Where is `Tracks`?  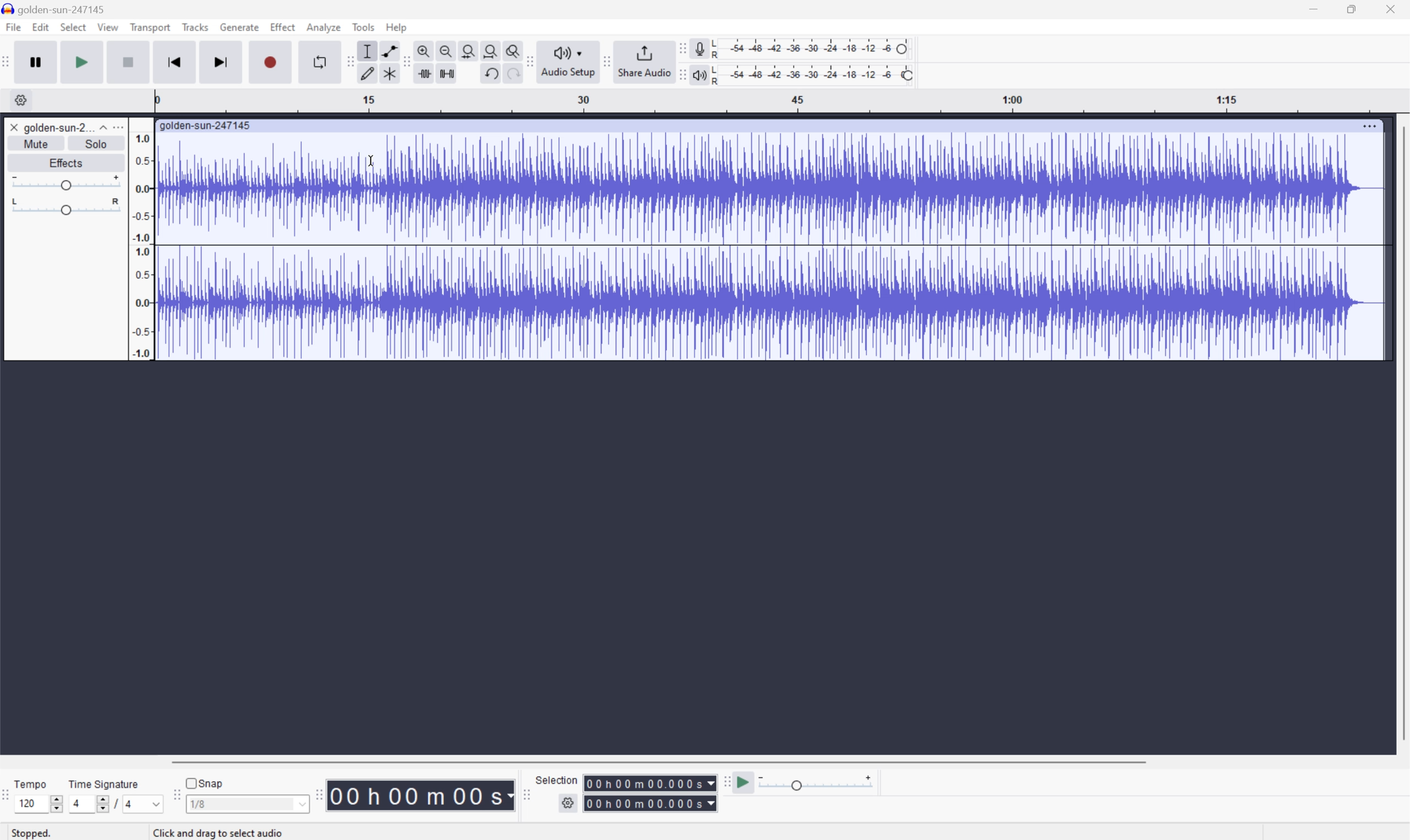
Tracks is located at coordinates (195, 27).